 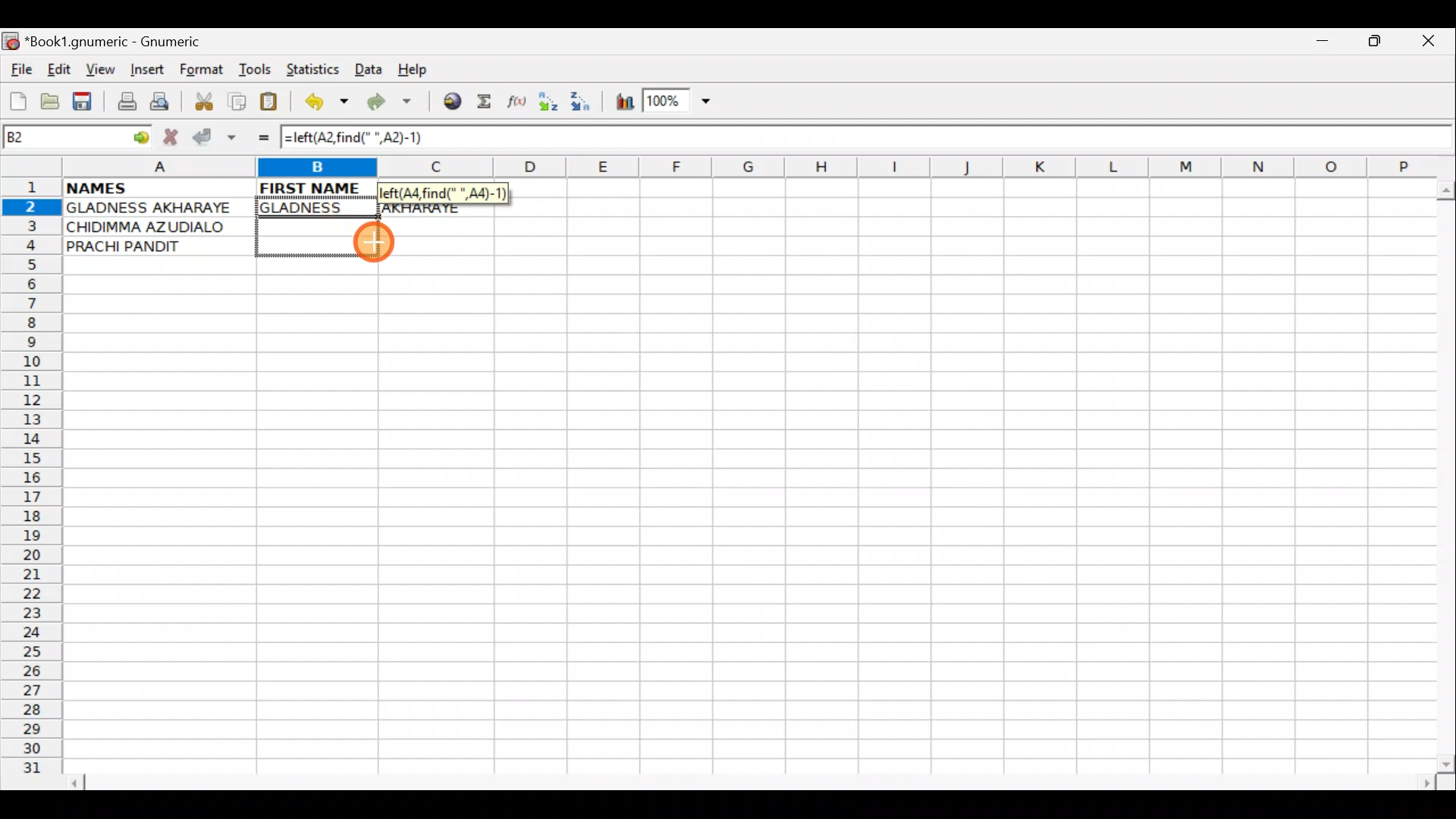 I want to click on Print file, so click(x=123, y=103).